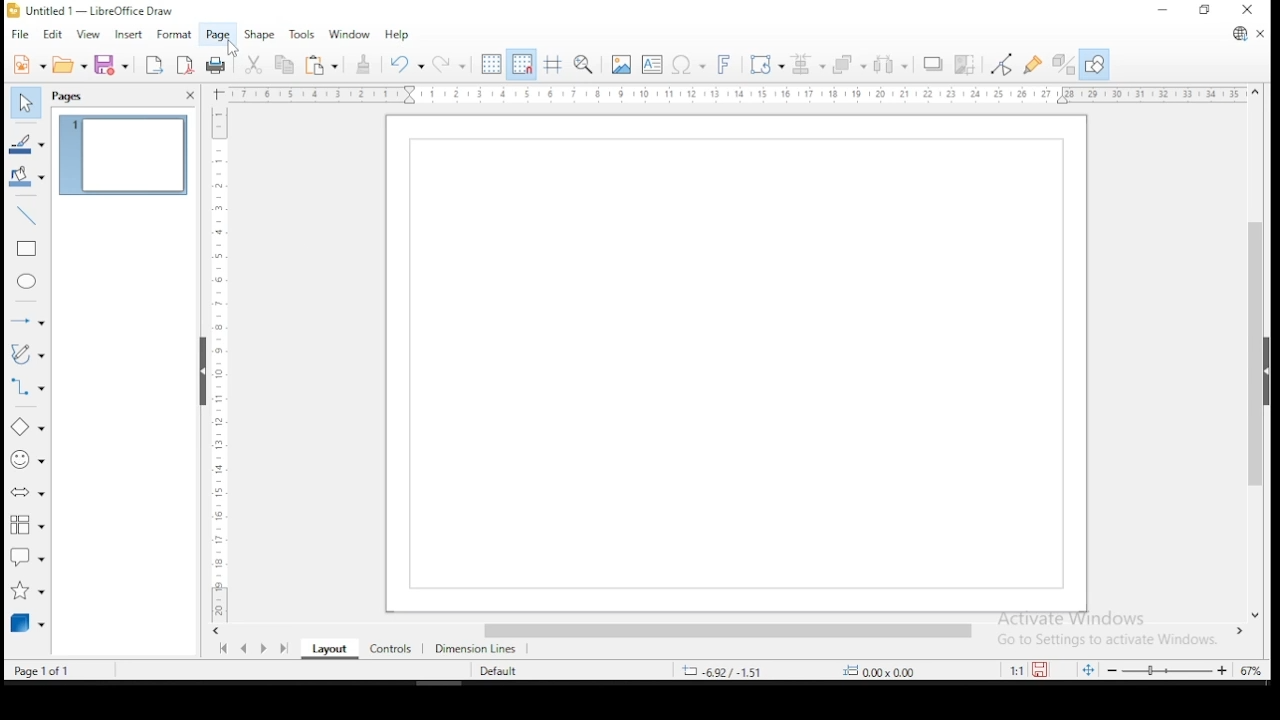 The height and width of the screenshot is (720, 1280). Describe the element at coordinates (25, 250) in the screenshot. I see `rectangle` at that location.